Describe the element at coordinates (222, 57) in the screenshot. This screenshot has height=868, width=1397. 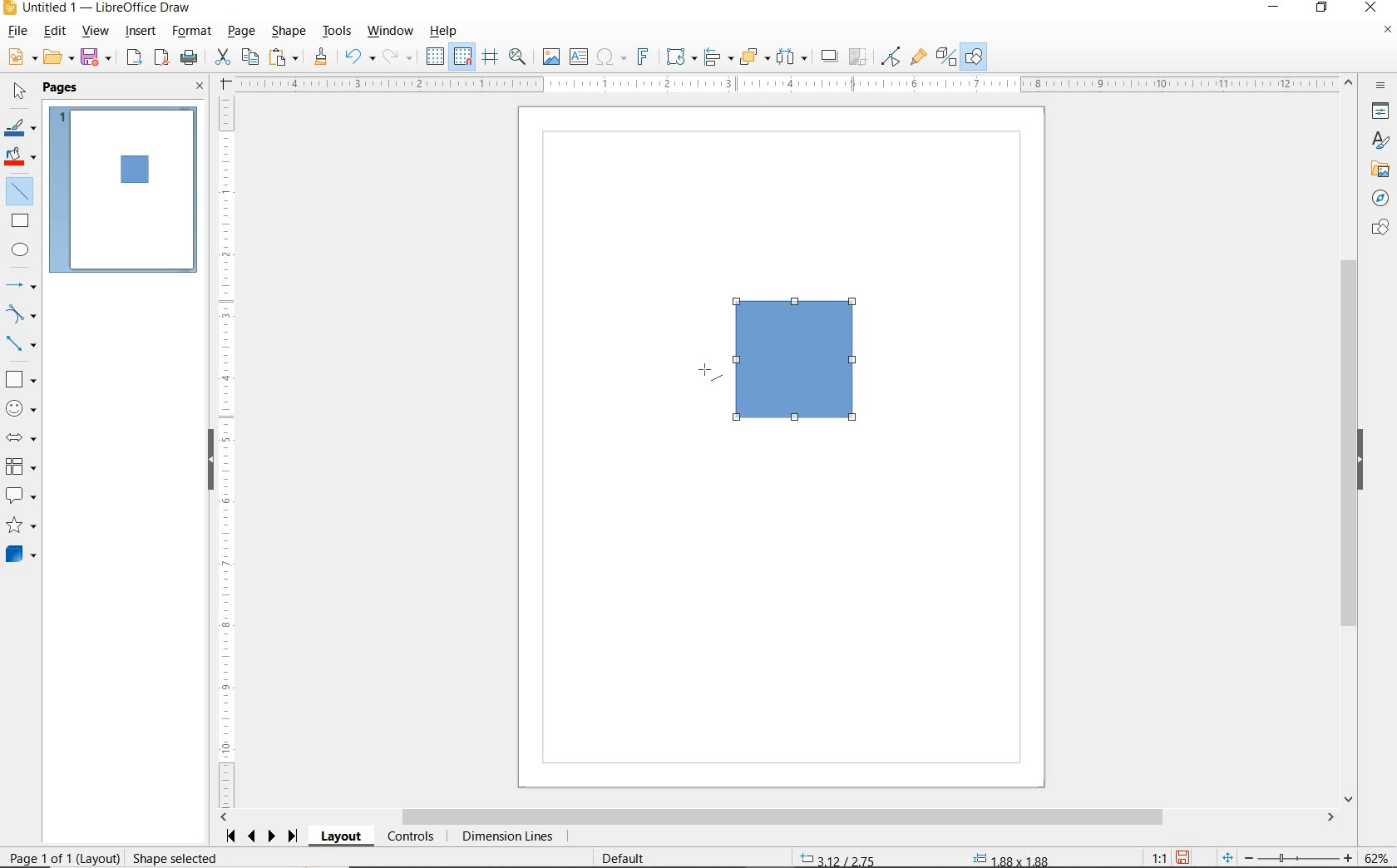
I see `CUT` at that location.